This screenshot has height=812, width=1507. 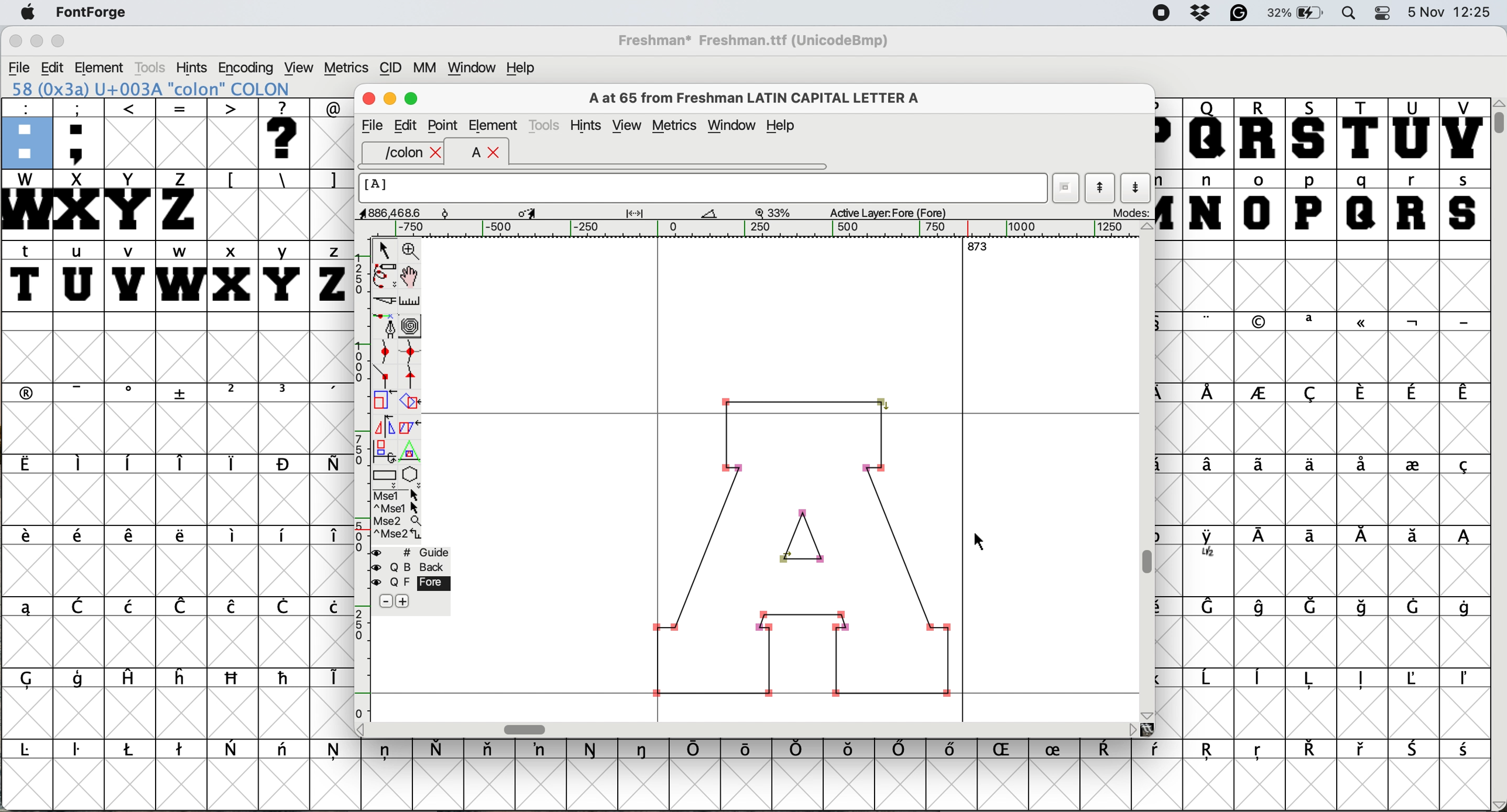 I want to click on mm, so click(x=423, y=67).